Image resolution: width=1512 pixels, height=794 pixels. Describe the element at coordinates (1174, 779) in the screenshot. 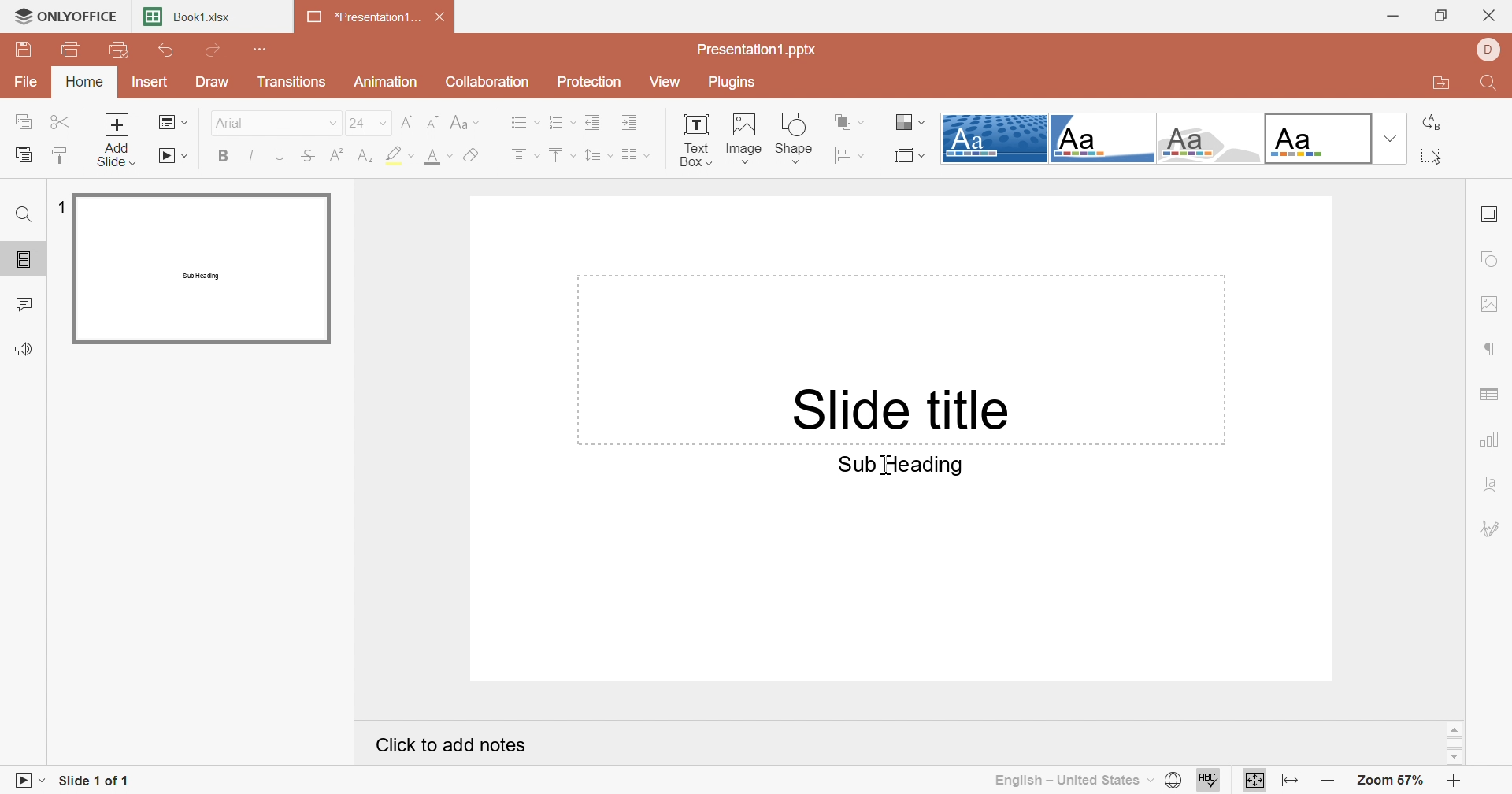

I see `Set document language` at that location.